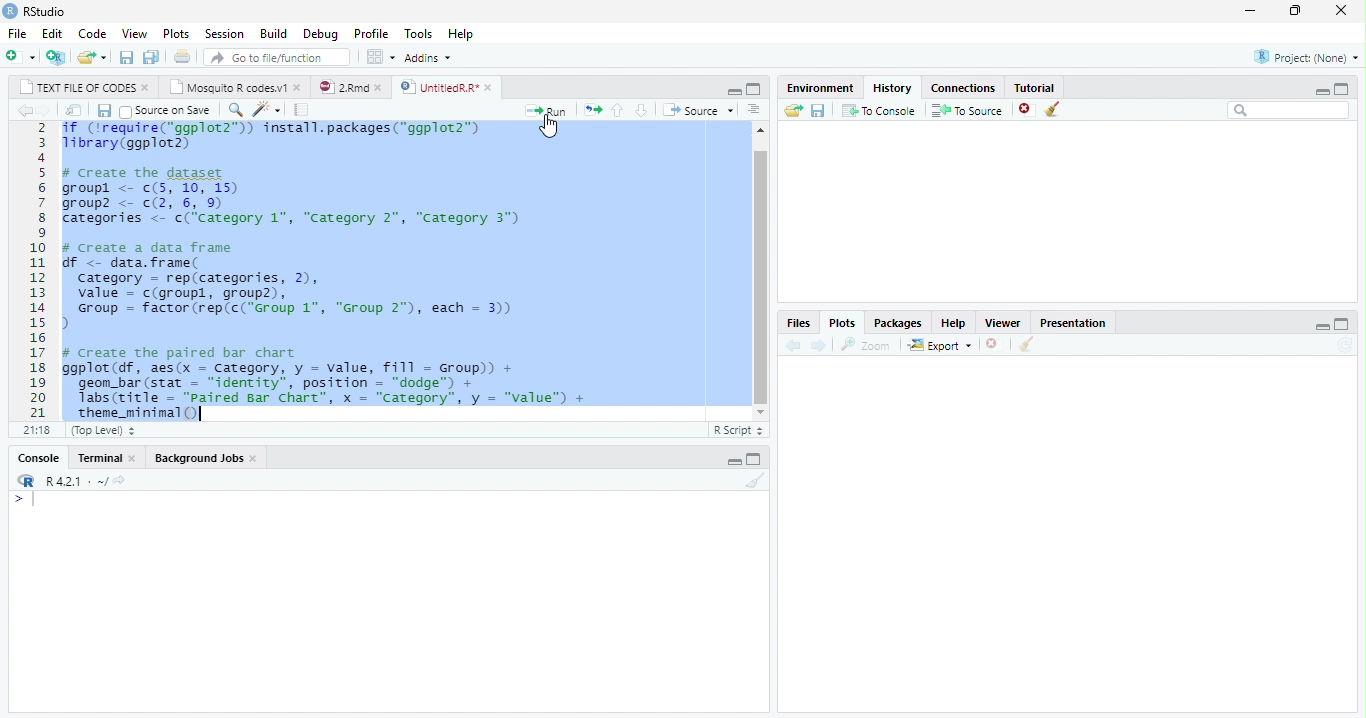 The width and height of the screenshot is (1366, 718). What do you see at coordinates (550, 126) in the screenshot?
I see `cursor` at bounding box center [550, 126].